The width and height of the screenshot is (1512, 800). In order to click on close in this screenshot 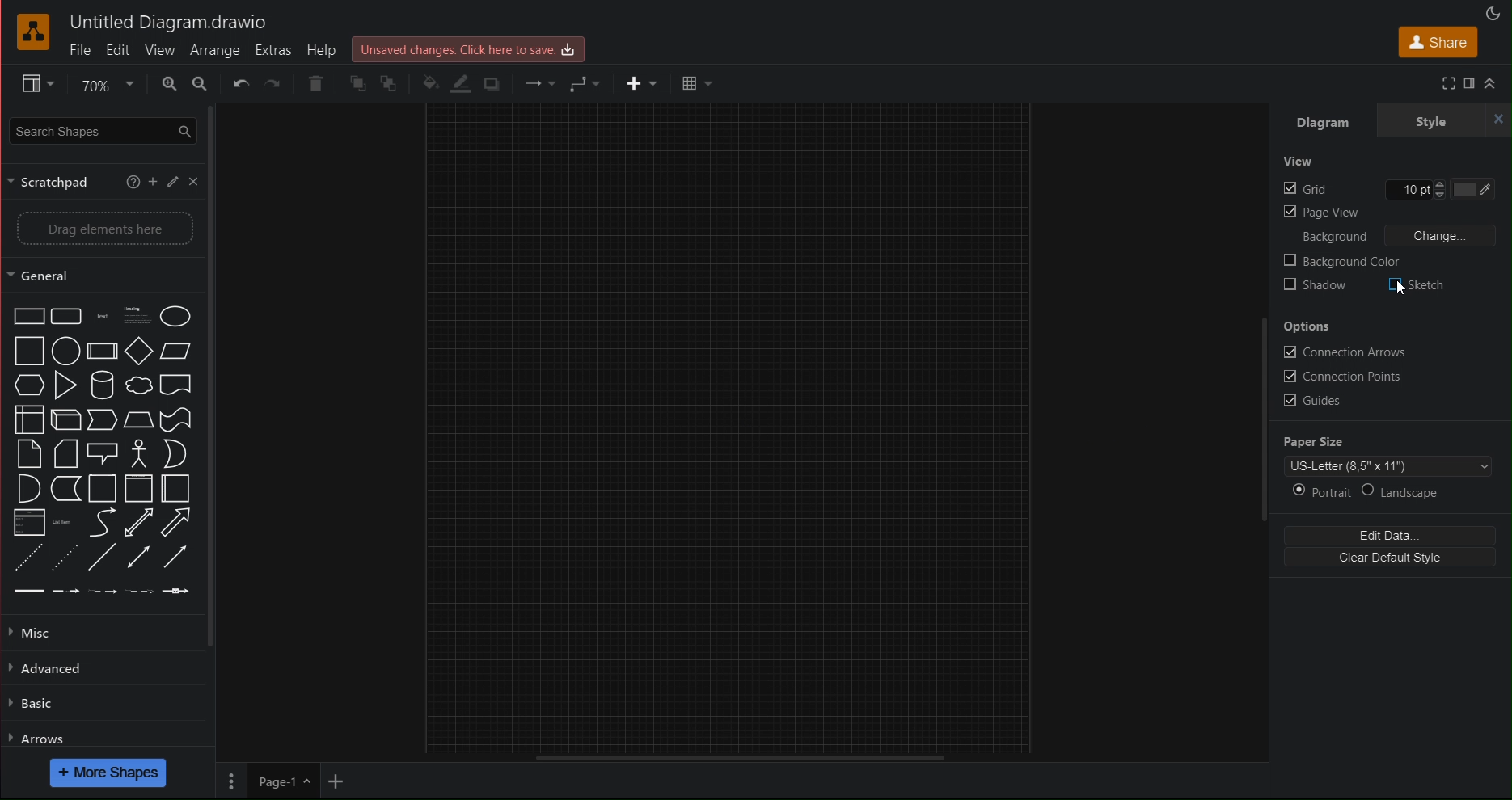, I will do `click(195, 183)`.